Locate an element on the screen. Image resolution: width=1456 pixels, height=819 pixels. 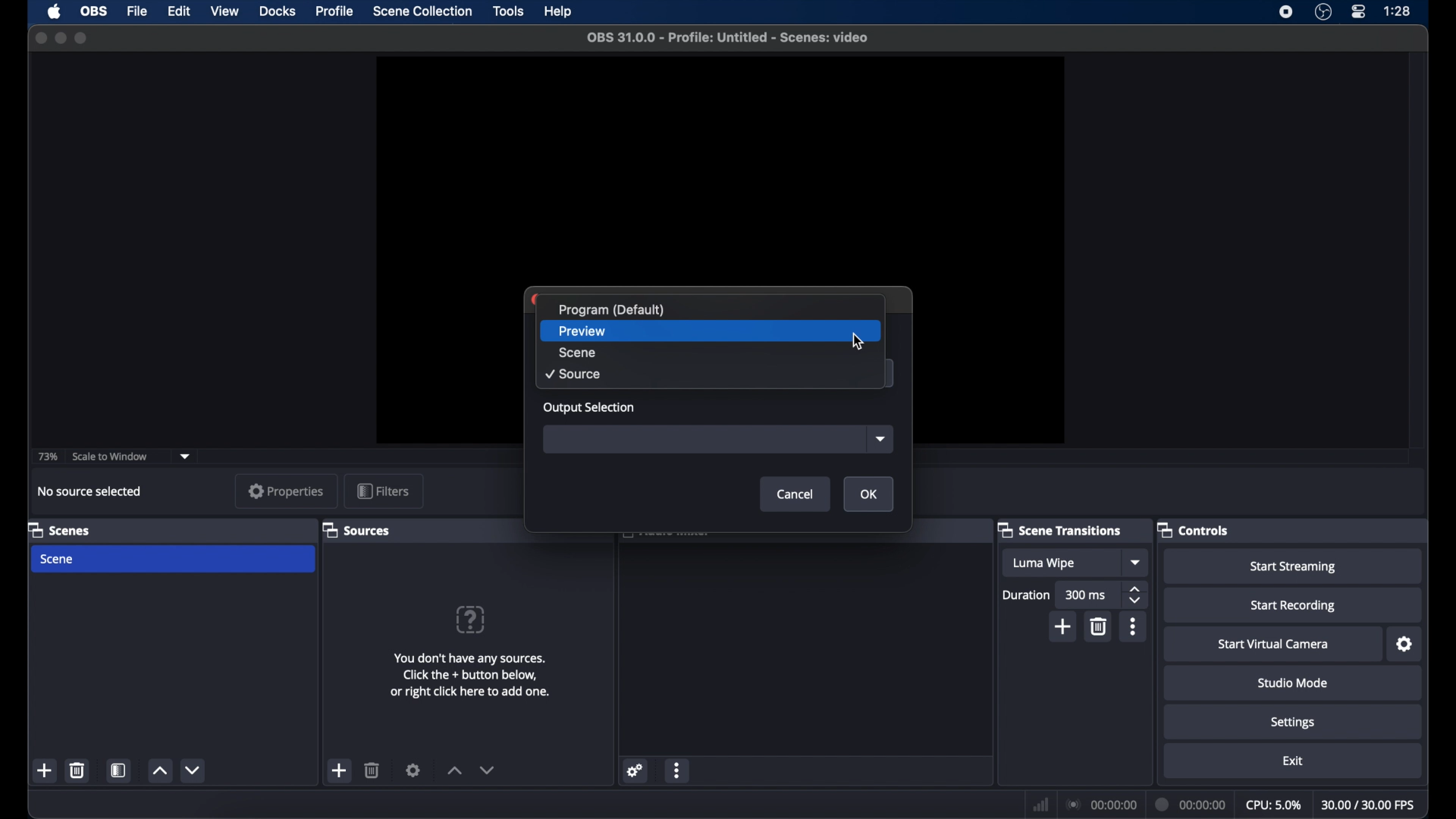
add is located at coordinates (1062, 626).